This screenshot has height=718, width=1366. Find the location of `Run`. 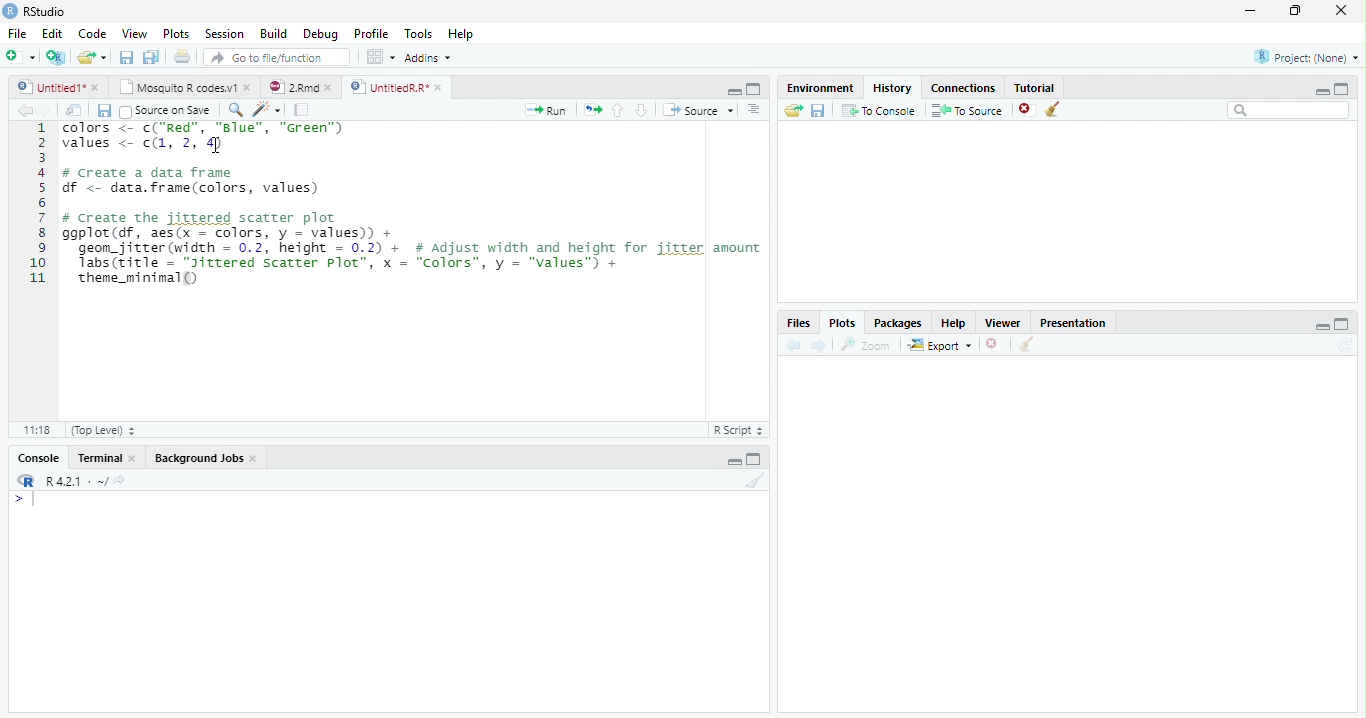

Run is located at coordinates (546, 111).